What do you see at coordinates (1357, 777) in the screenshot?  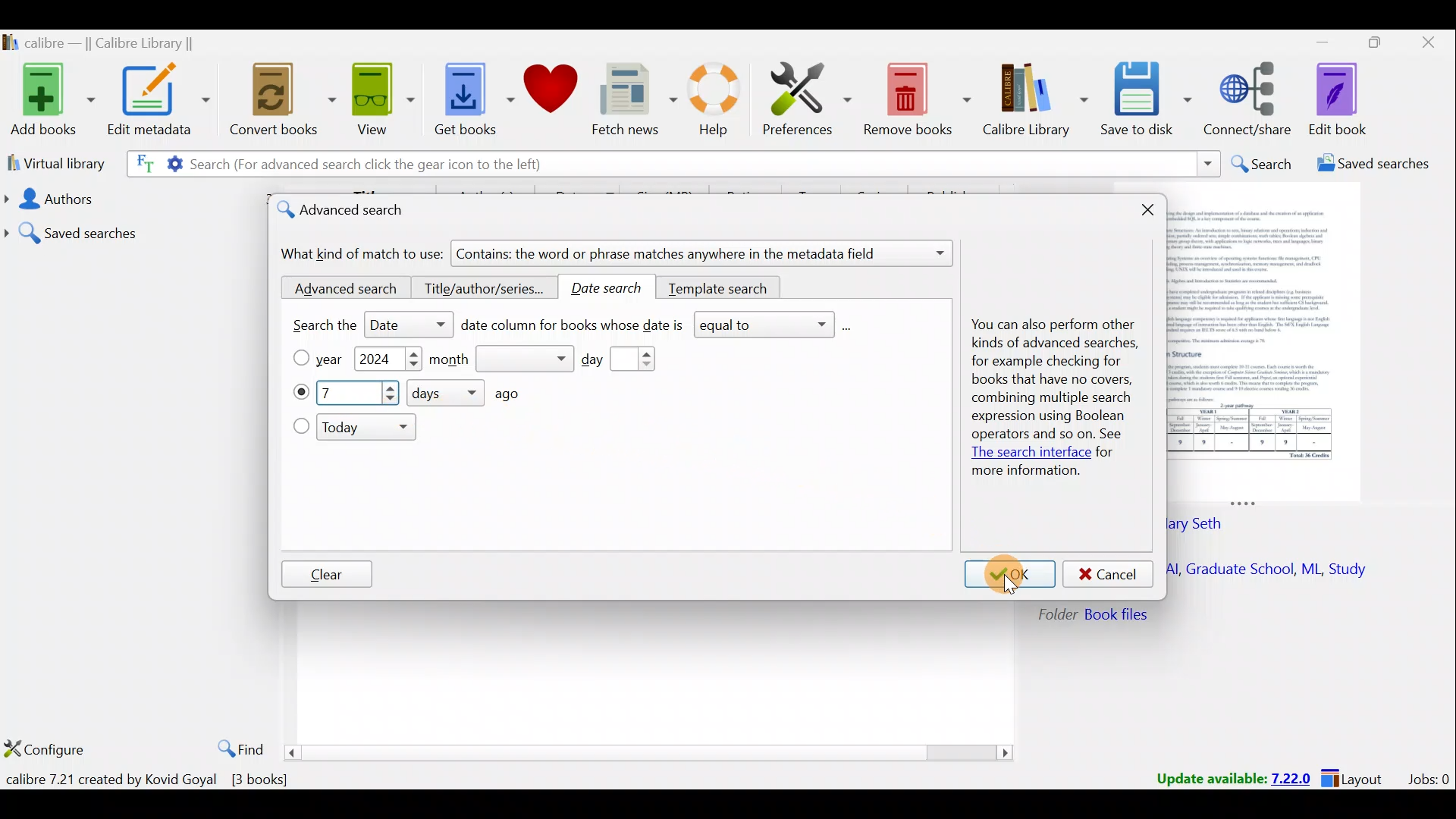 I see `Layout` at bounding box center [1357, 777].